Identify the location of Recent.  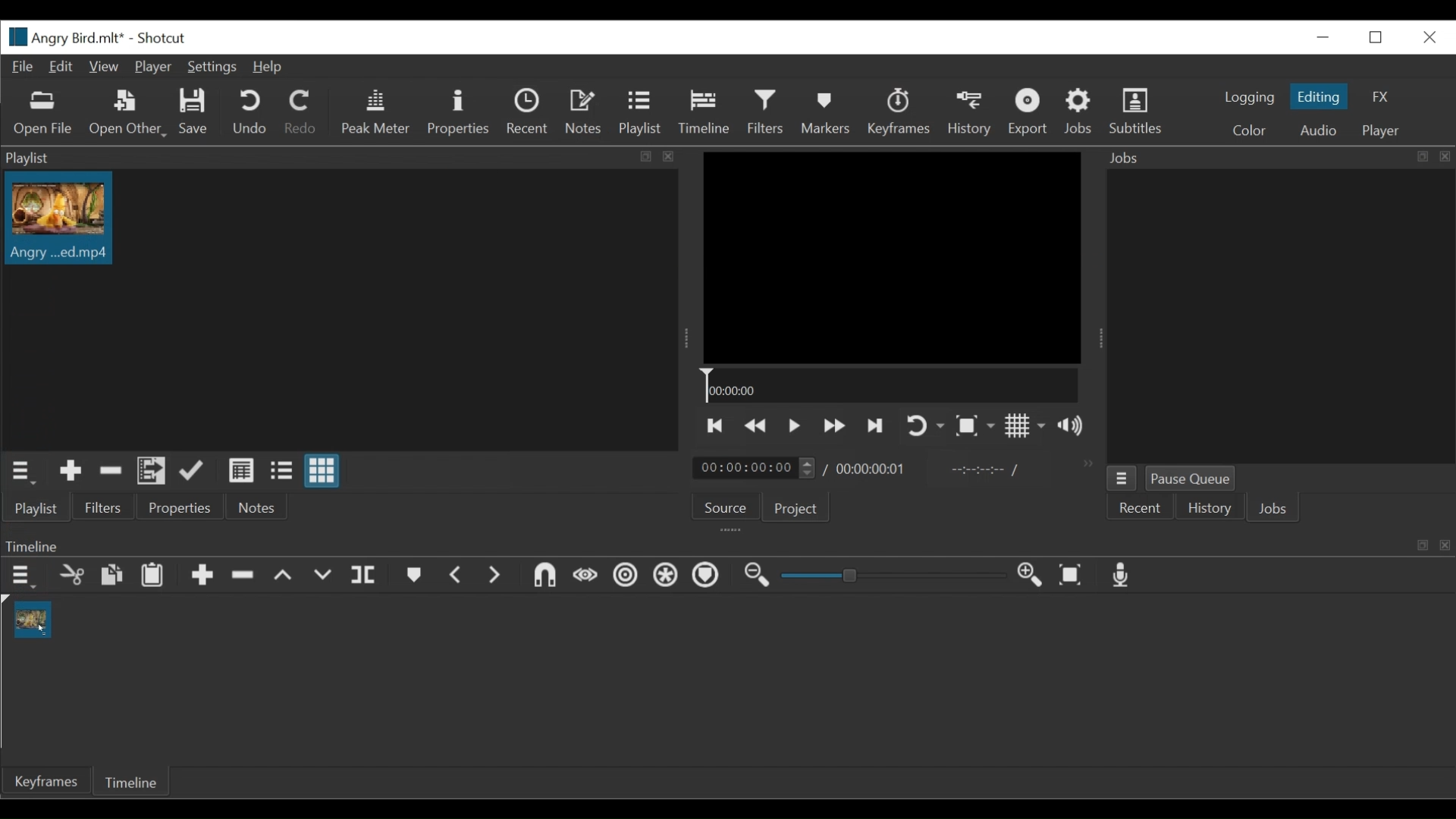
(526, 113).